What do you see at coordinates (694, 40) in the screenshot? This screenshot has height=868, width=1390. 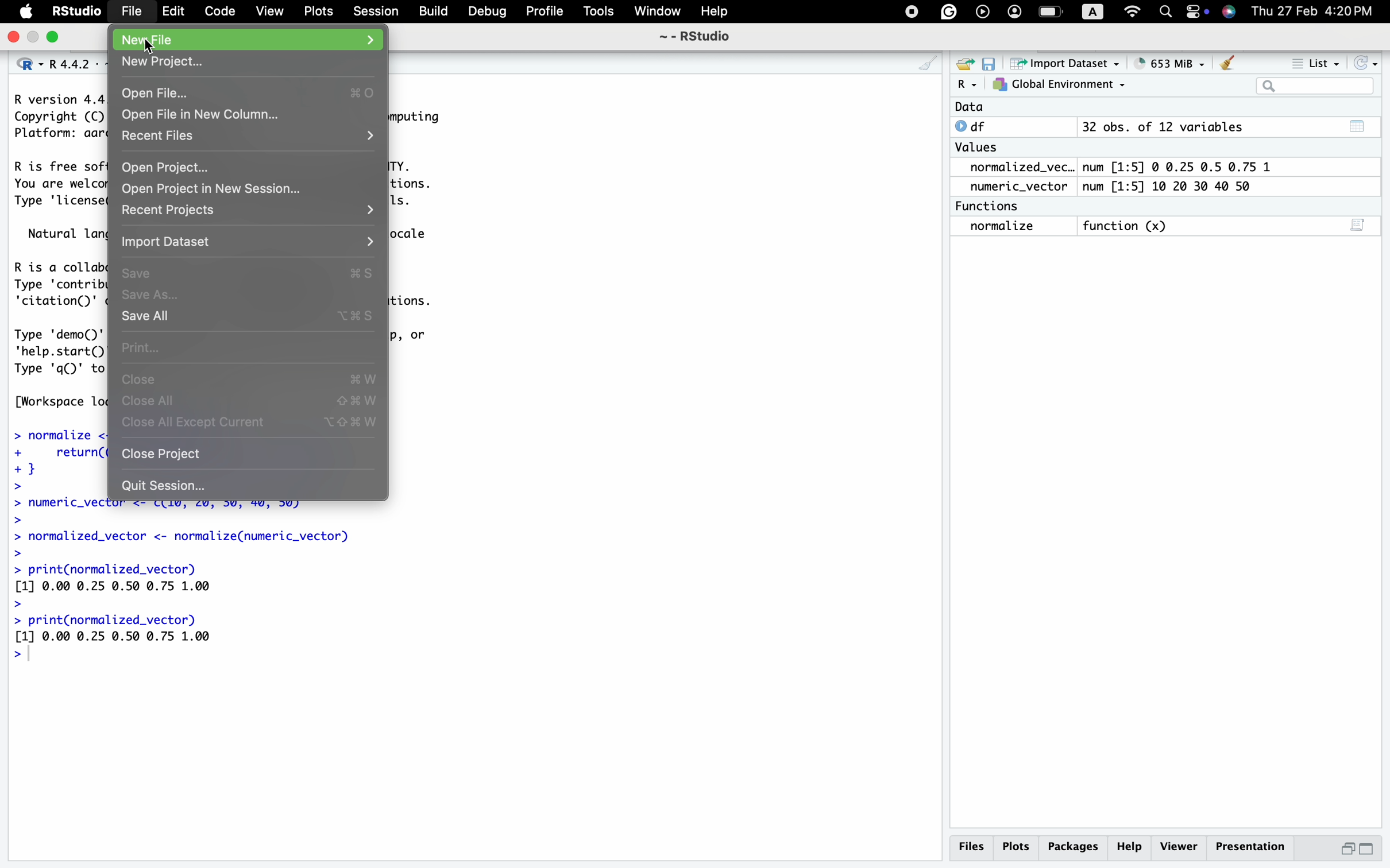 I see `~~ RStudio` at bounding box center [694, 40].